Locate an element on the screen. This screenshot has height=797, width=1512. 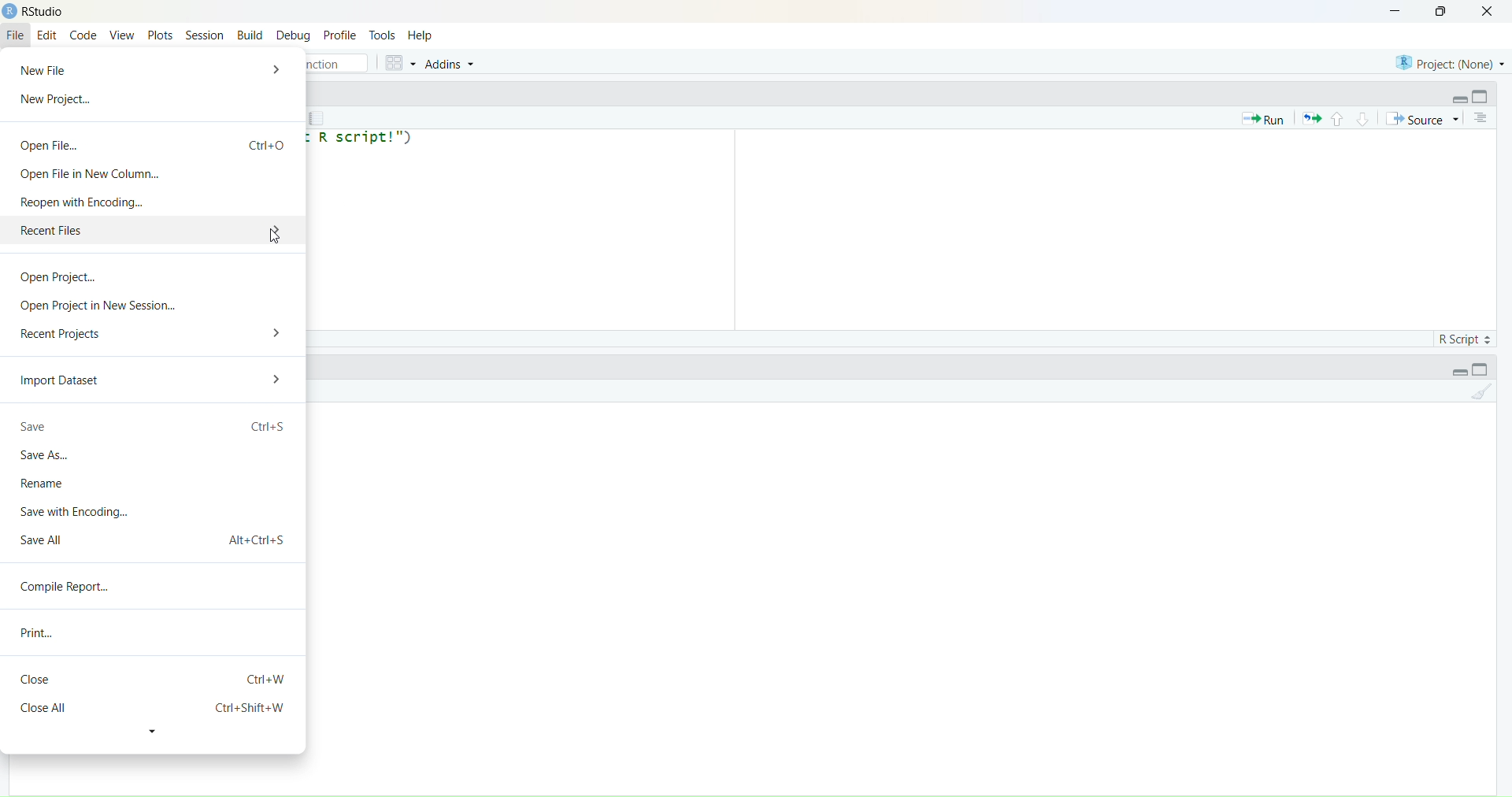
Re-run the previous code region (Ctrl + Alt + P) is located at coordinates (1311, 118).